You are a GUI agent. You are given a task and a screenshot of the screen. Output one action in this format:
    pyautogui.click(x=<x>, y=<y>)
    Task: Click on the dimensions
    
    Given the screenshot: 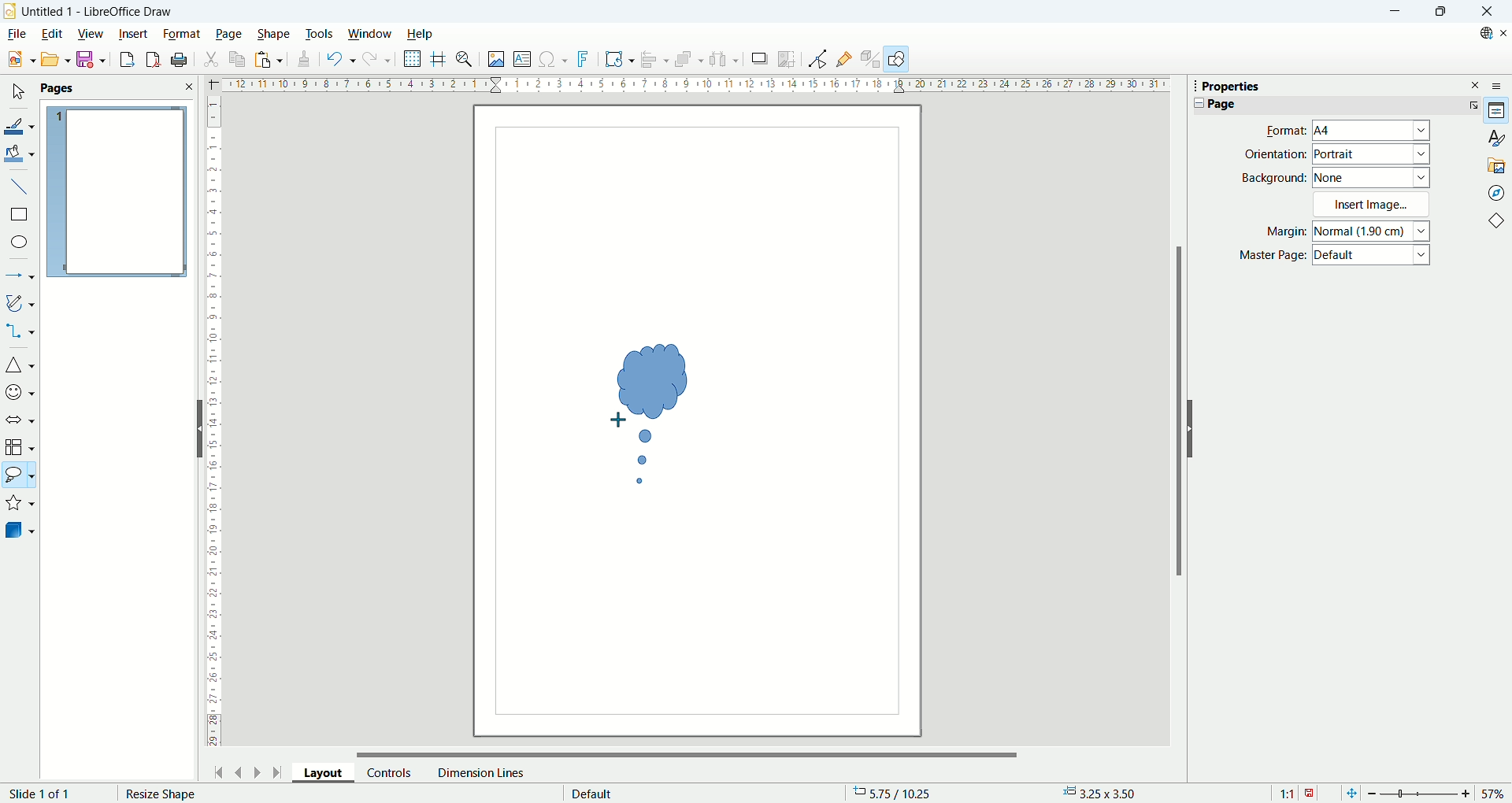 What is the action you would take?
    pyautogui.click(x=1105, y=793)
    